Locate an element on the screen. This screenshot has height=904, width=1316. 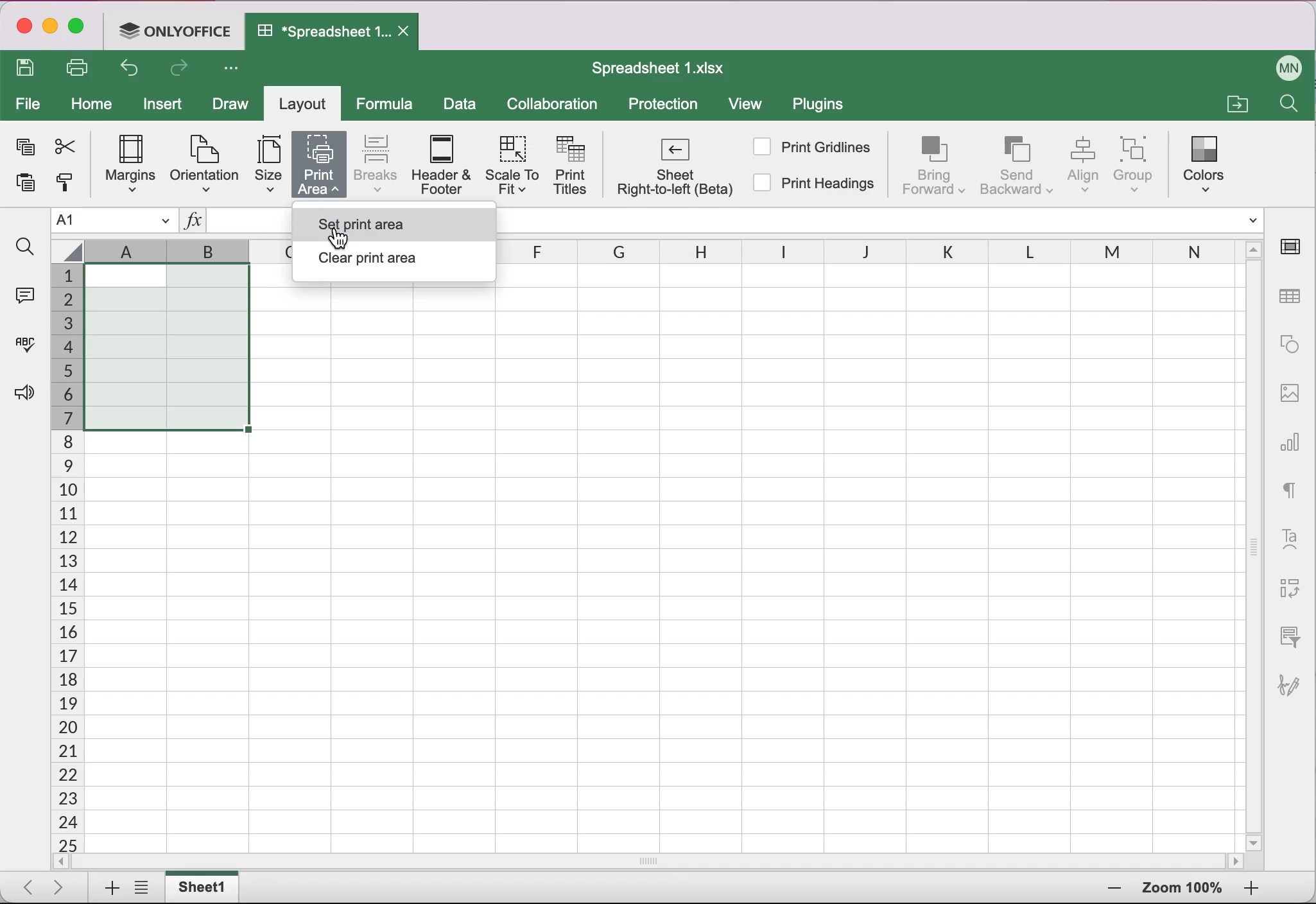
find is located at coordinates (24, 247).